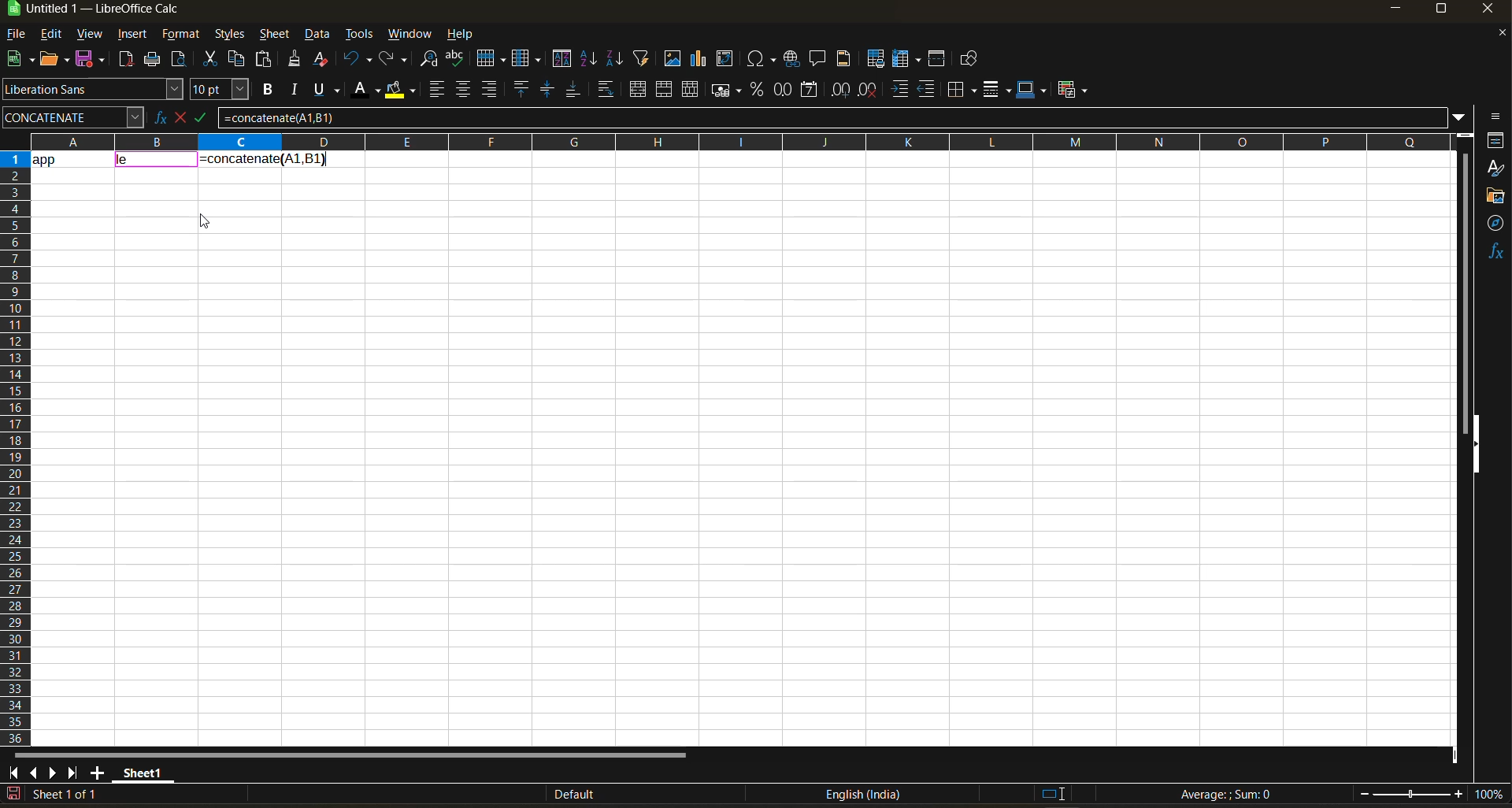  What do you see at coordinates (818, 59) in the screenshot?
I see `insert comment` at bounding box center [818, 59].